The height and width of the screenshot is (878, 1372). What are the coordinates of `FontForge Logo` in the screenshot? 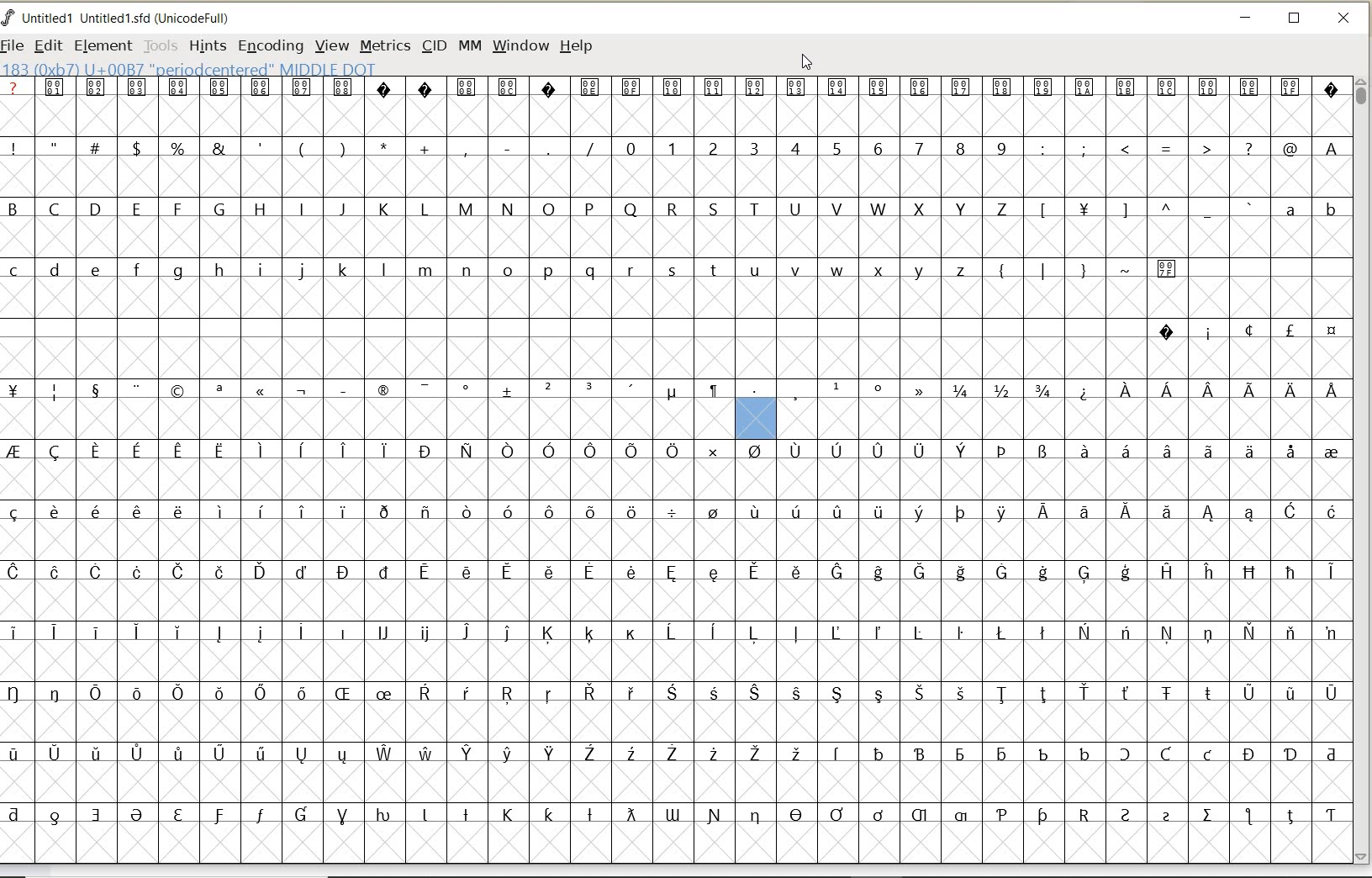 It's located at (9, 16).